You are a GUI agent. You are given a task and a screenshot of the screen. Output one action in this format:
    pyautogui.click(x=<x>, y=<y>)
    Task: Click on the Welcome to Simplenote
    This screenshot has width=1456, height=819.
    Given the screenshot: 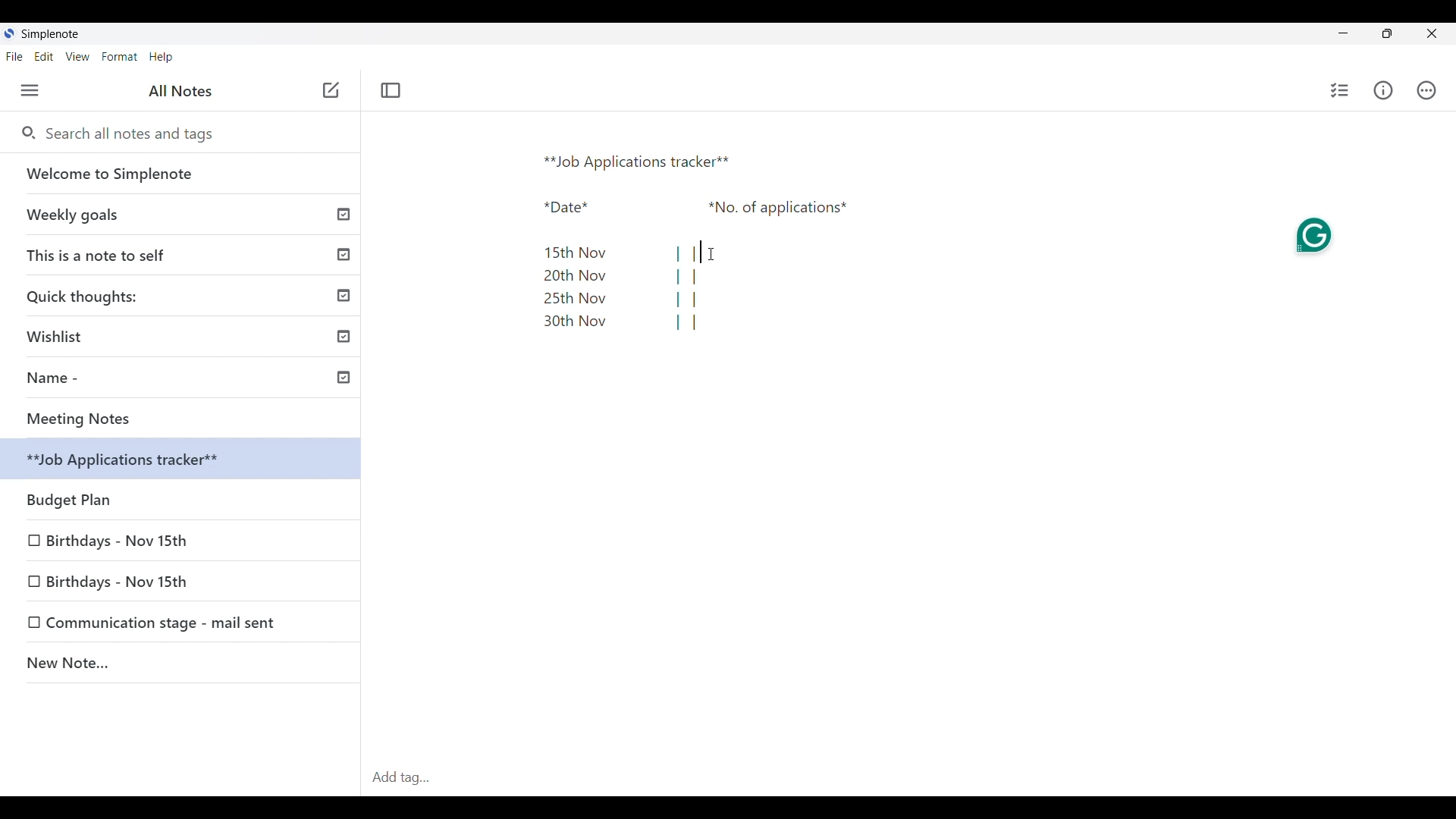 What is the action you would take?
    pyautogui.click(x=181, y=174)
    